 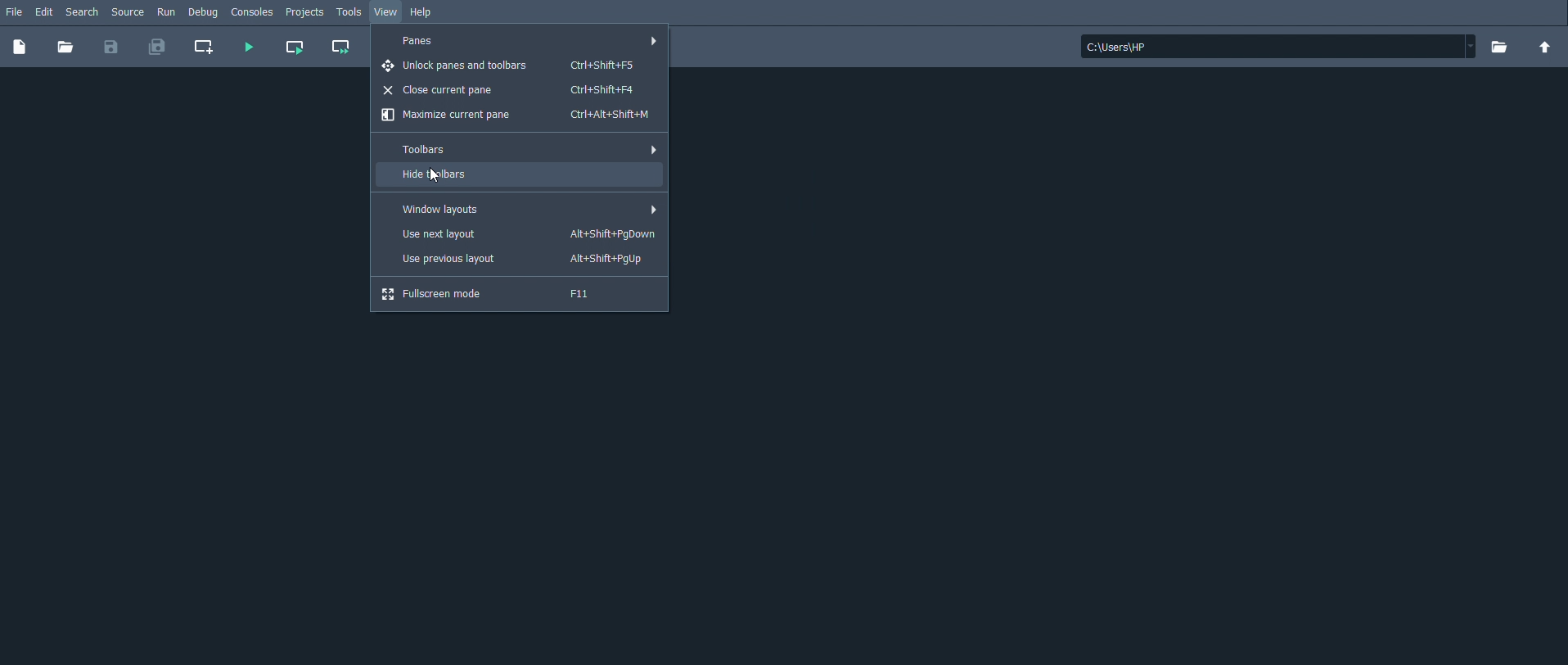 What do you see at coordinates (158, 47) in the screenshot?
I see `Save all files` at bounding box center [158, 47].